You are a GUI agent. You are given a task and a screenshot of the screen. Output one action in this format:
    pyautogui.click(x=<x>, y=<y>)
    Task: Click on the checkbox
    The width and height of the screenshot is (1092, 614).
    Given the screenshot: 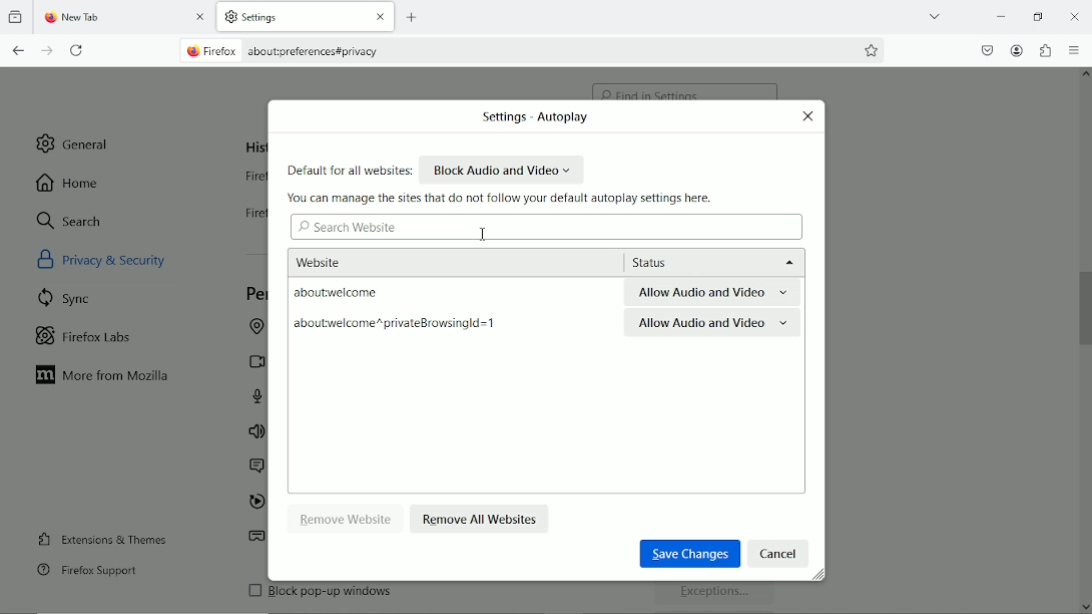 What is the action you would take?
    pyautogui.click(x=253, y=590)
    